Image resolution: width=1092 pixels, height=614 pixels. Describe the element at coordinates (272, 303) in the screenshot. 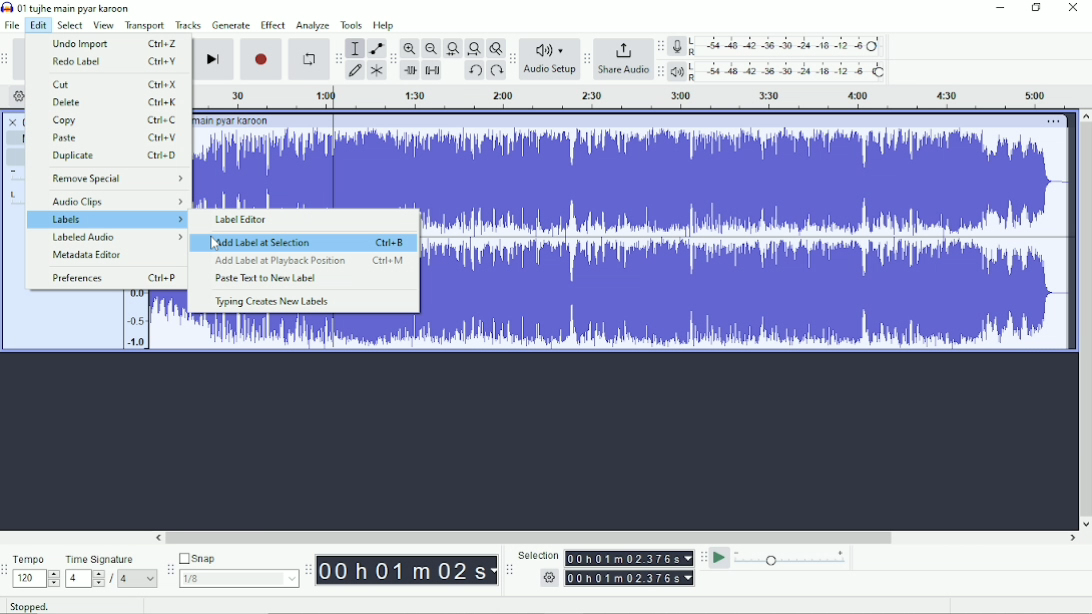

I see `Typing Creates New Labels` at that location.